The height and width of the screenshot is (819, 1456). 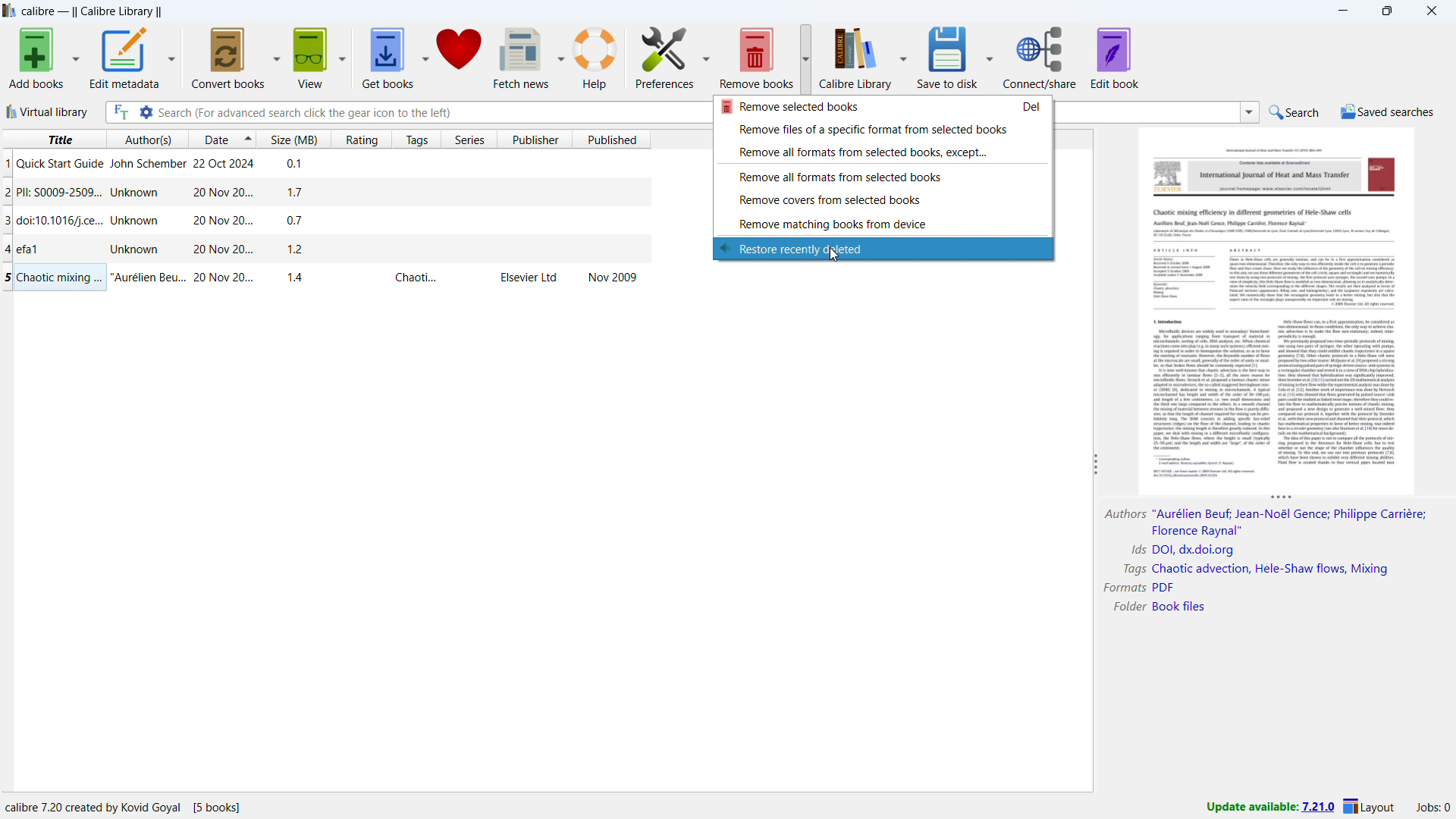 What do you see at coordinates (229, 58) in the screenshot?
I see `convert books` at bounding box center [229, 58].